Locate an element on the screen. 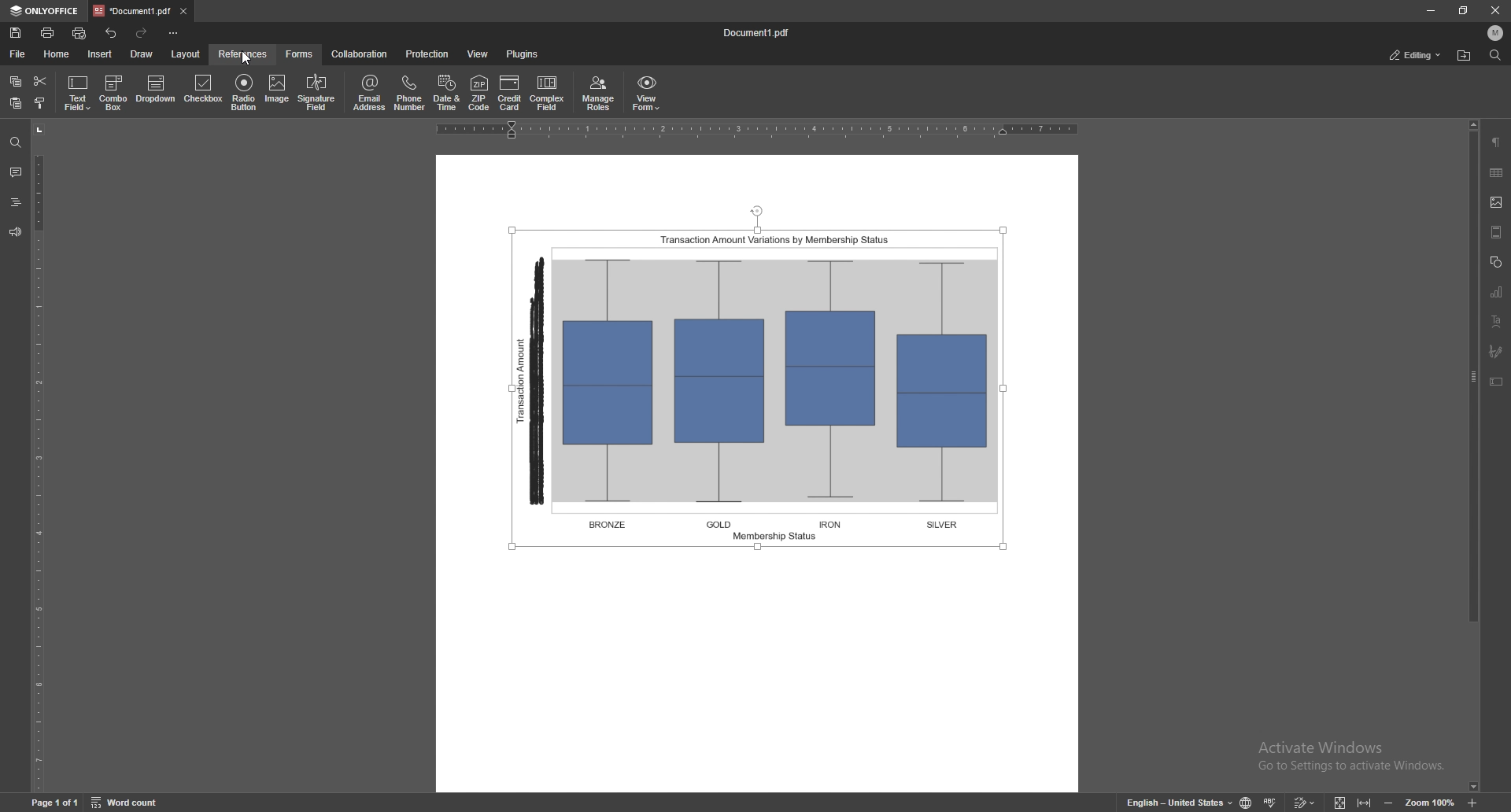  table is located at coordinates (1497, 172).